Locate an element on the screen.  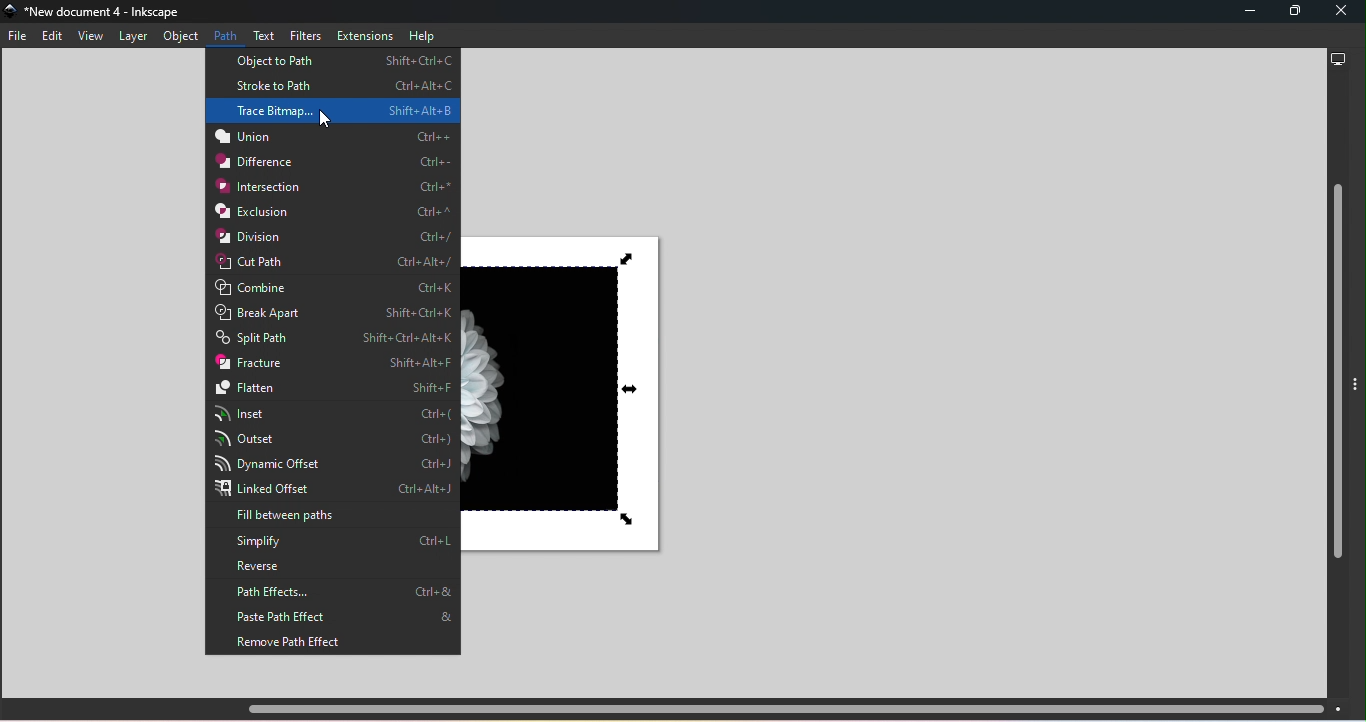
Filters is located at coordinates (304, 35).